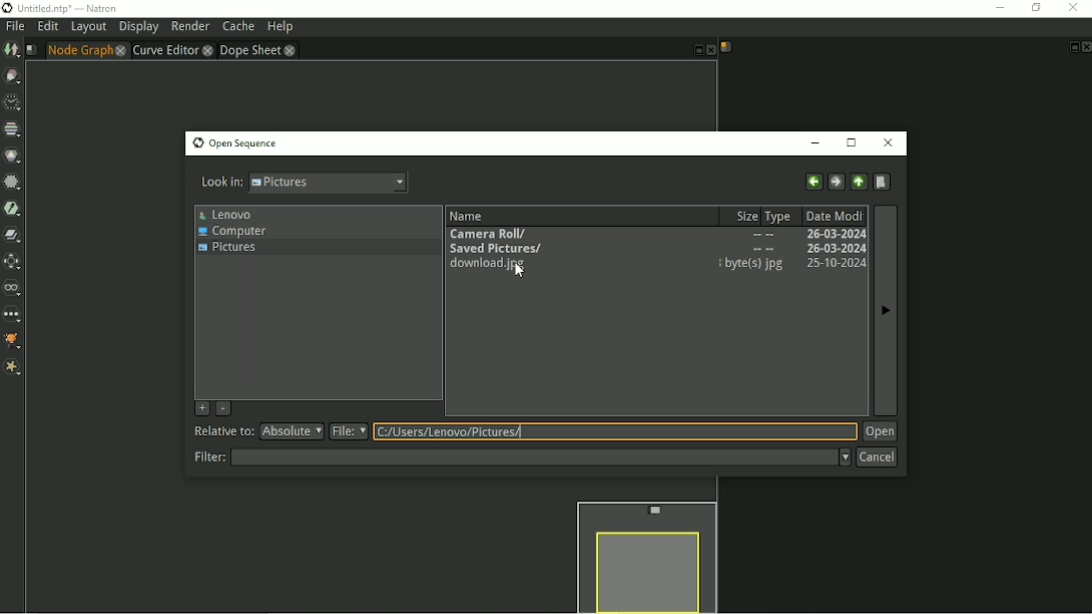 This screenshot has height=614, width=1092. I want to click on --, so click(762, 248).